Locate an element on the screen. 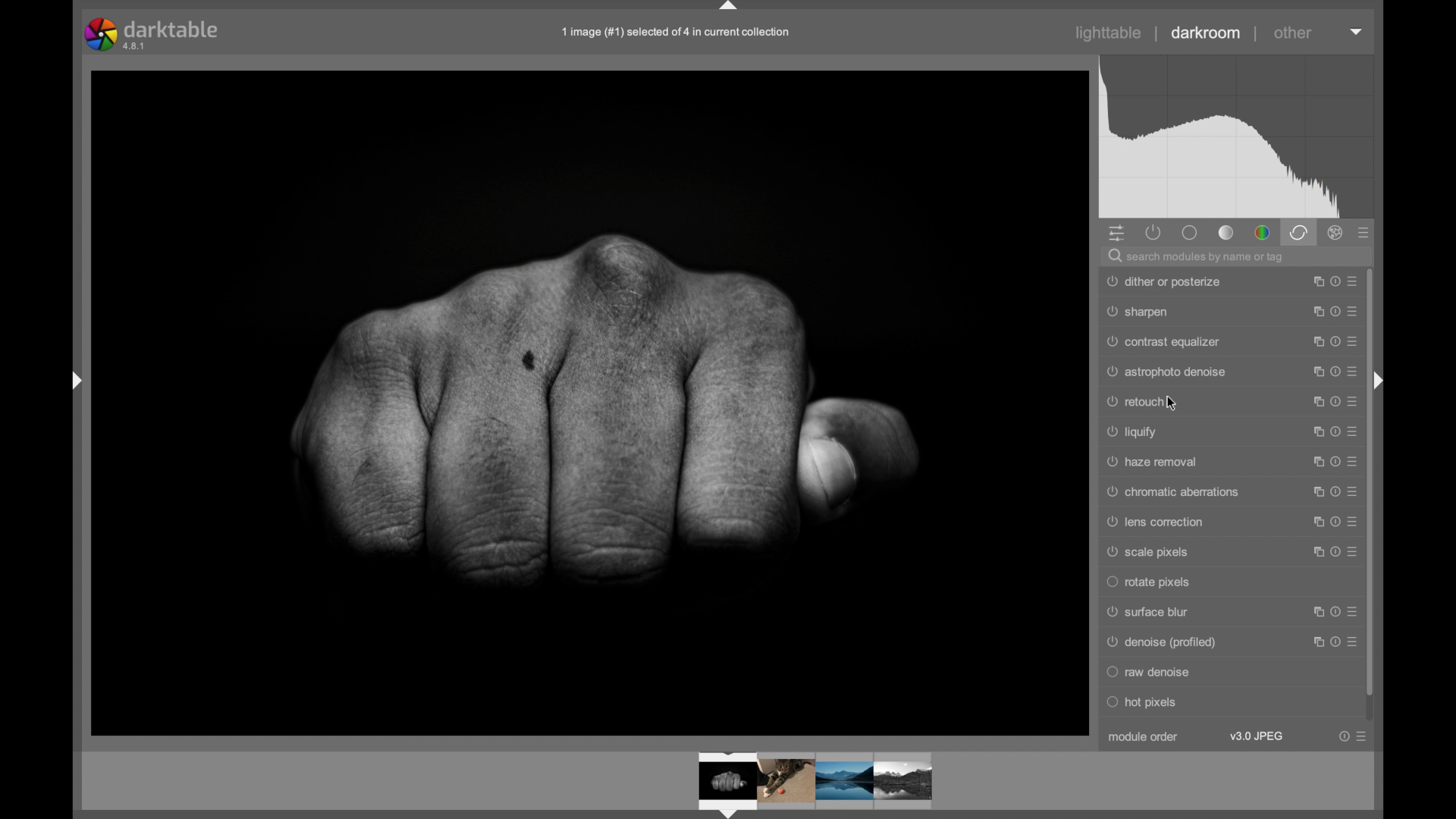 The width and height of the screenshot is (1456, 819). help is located at coordinates (1332, 610).